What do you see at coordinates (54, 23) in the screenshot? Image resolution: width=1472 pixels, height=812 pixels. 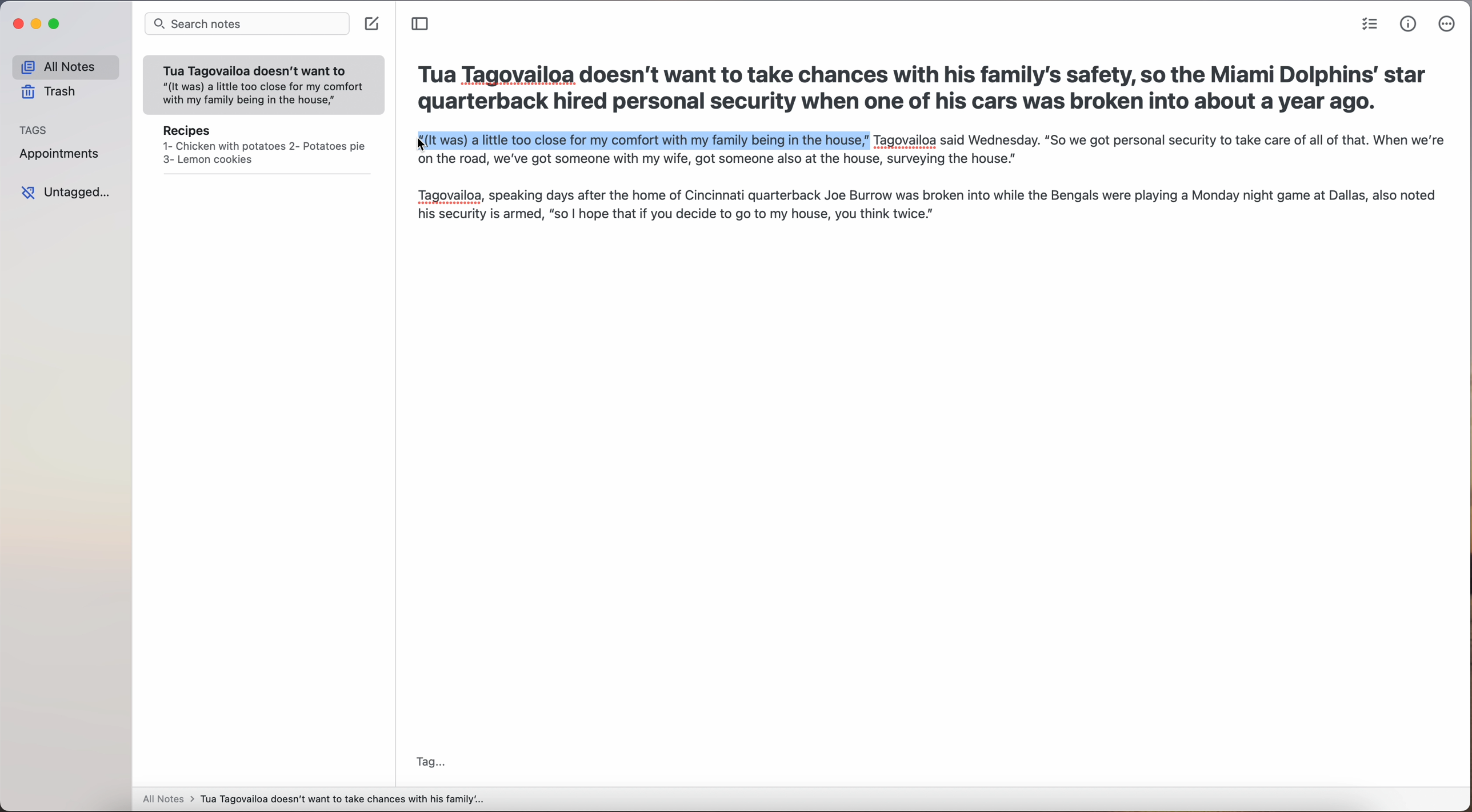 I see `maximize Simplenote` at bounding box center [54, 23].